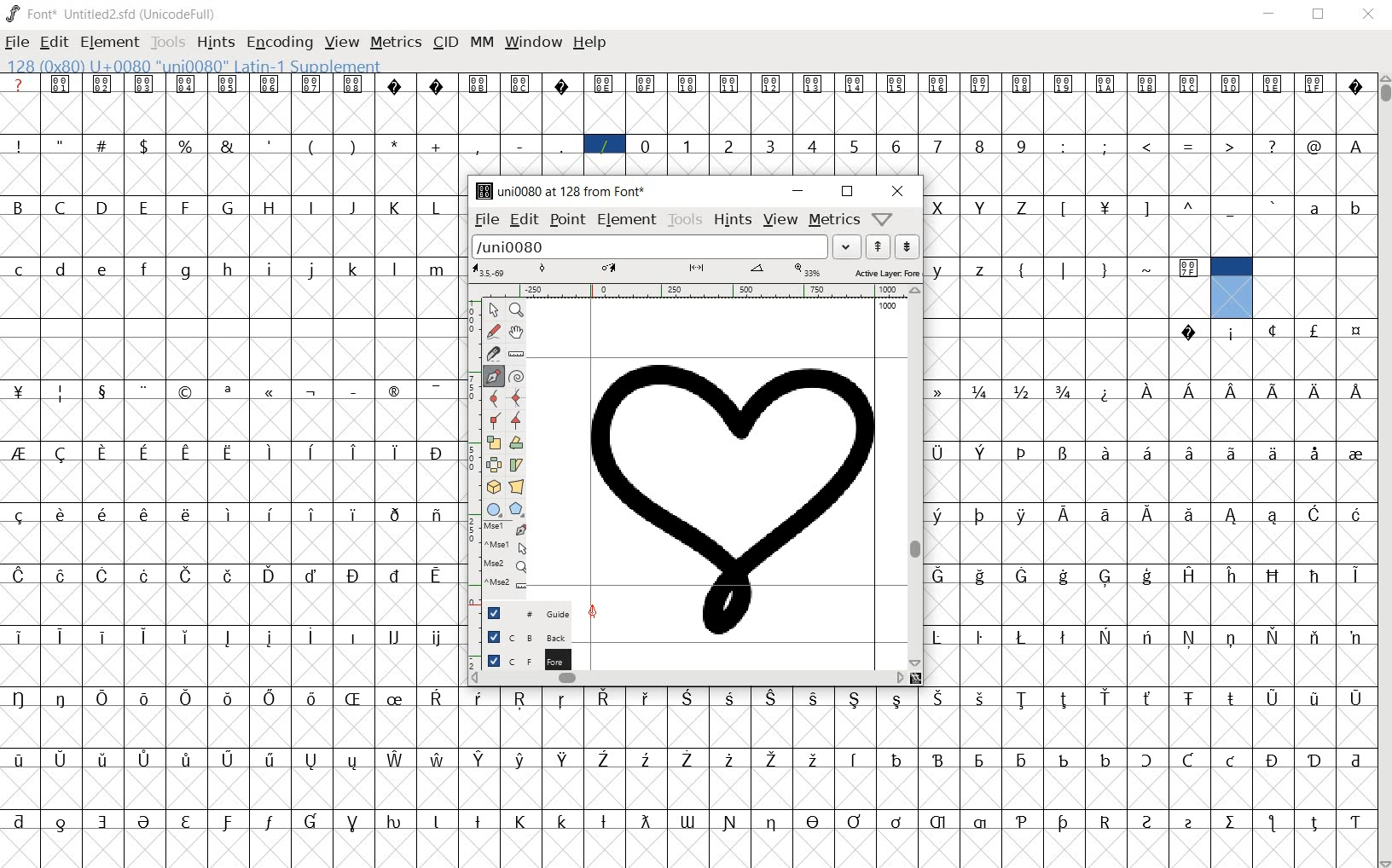 This screenshot has height=868, width=1392. Describe the element at coordinates (497, 452) in the screenshot. I see `editing tools` at that location.